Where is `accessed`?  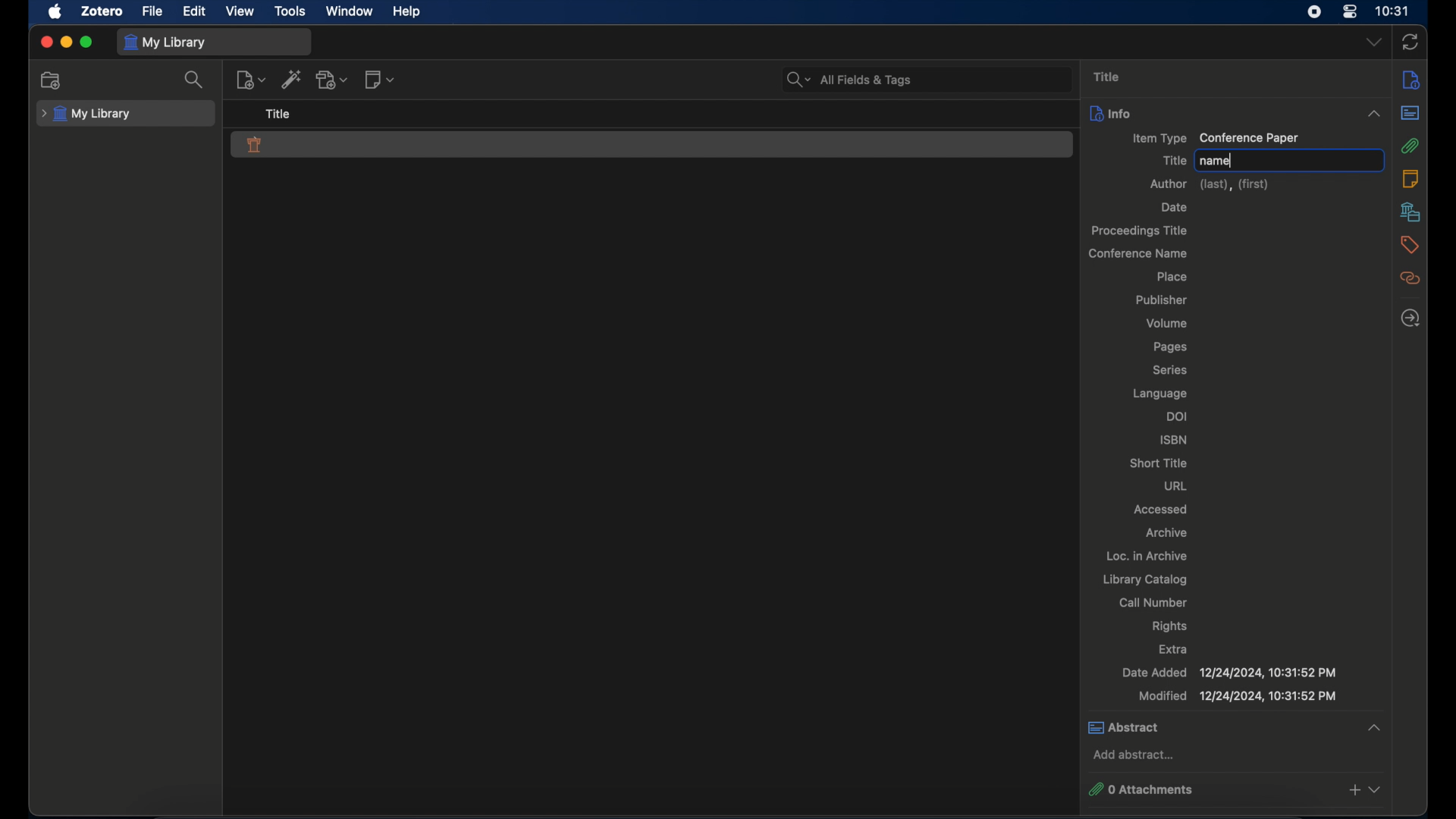 accessed is located at coordinates (1160, 509).